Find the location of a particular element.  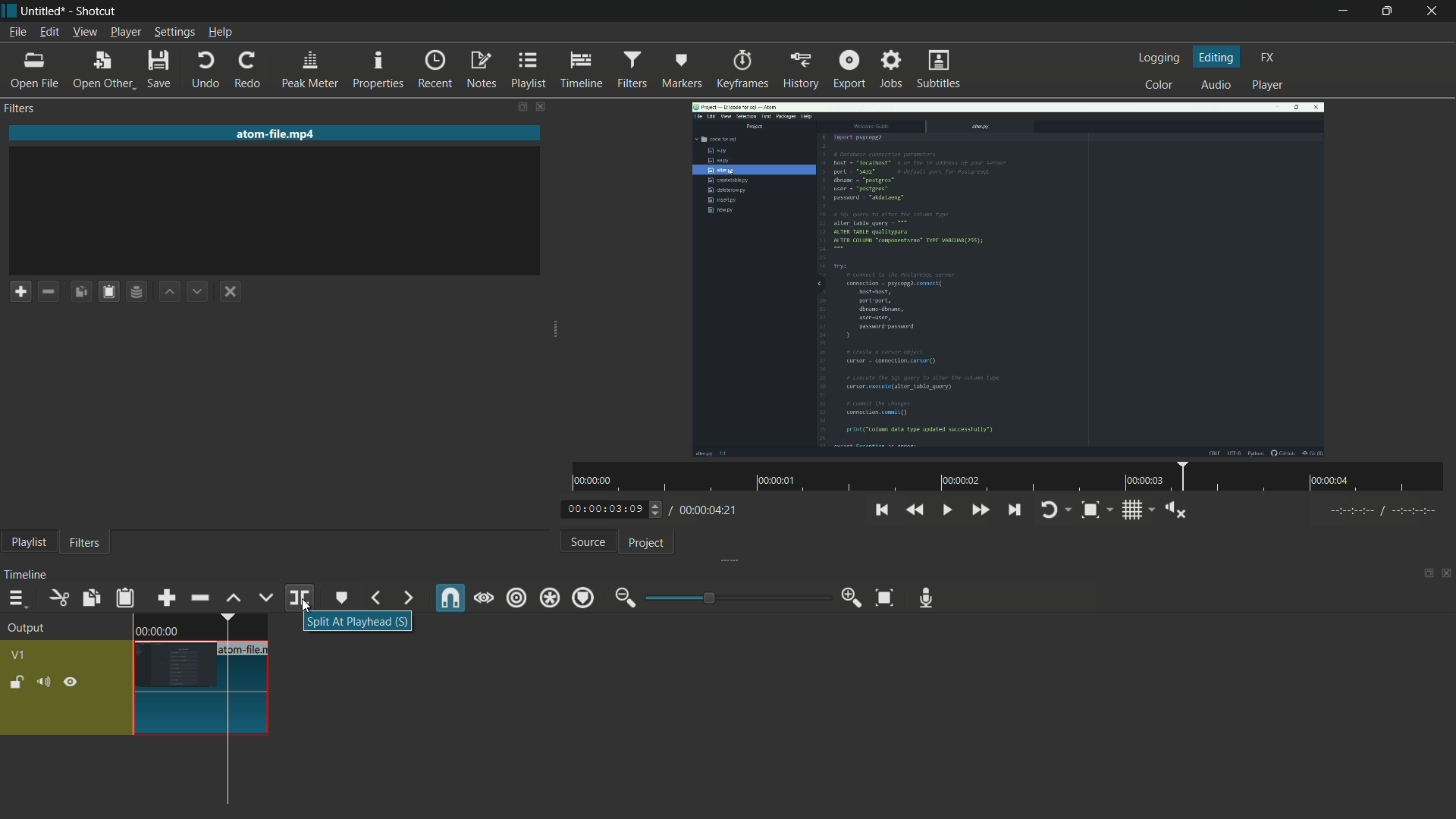

project is located at coordinates (645, 544).